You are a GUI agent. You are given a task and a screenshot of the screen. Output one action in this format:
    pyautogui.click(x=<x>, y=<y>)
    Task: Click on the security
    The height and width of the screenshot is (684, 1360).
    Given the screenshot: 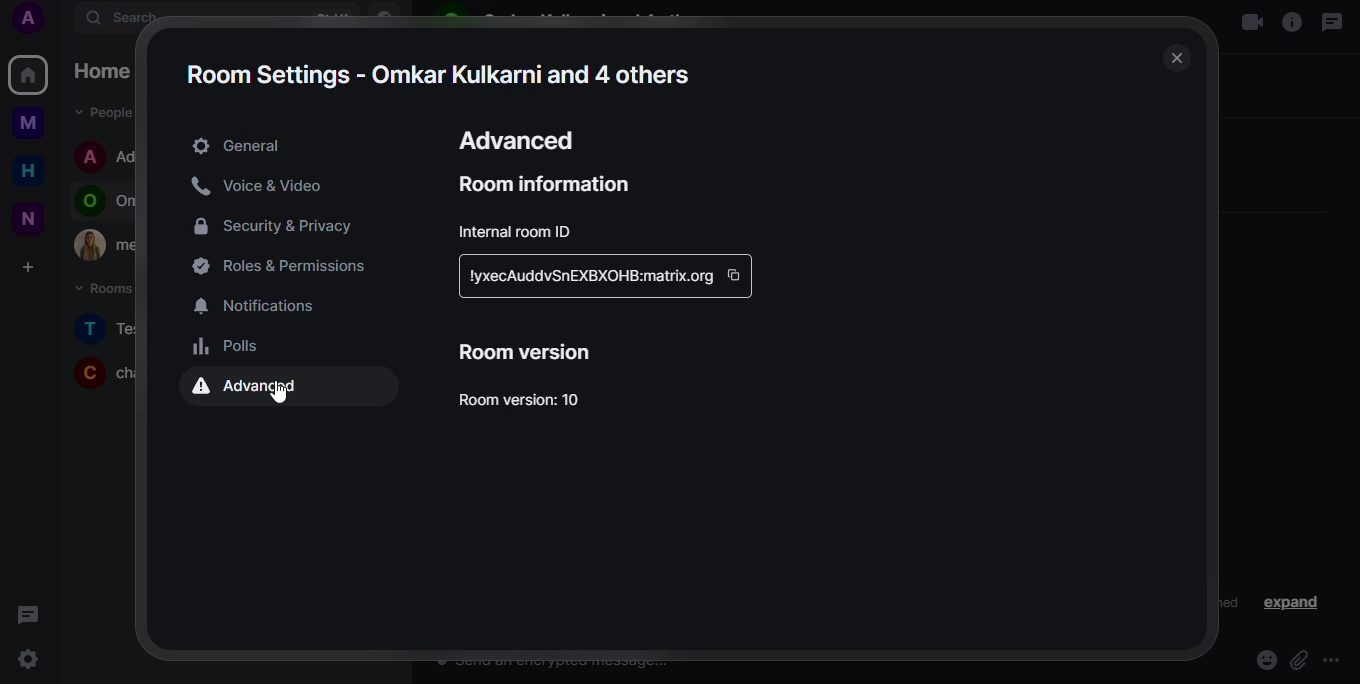 What is the action you would take?
    pyautogui.click(x=284, y=225)
    